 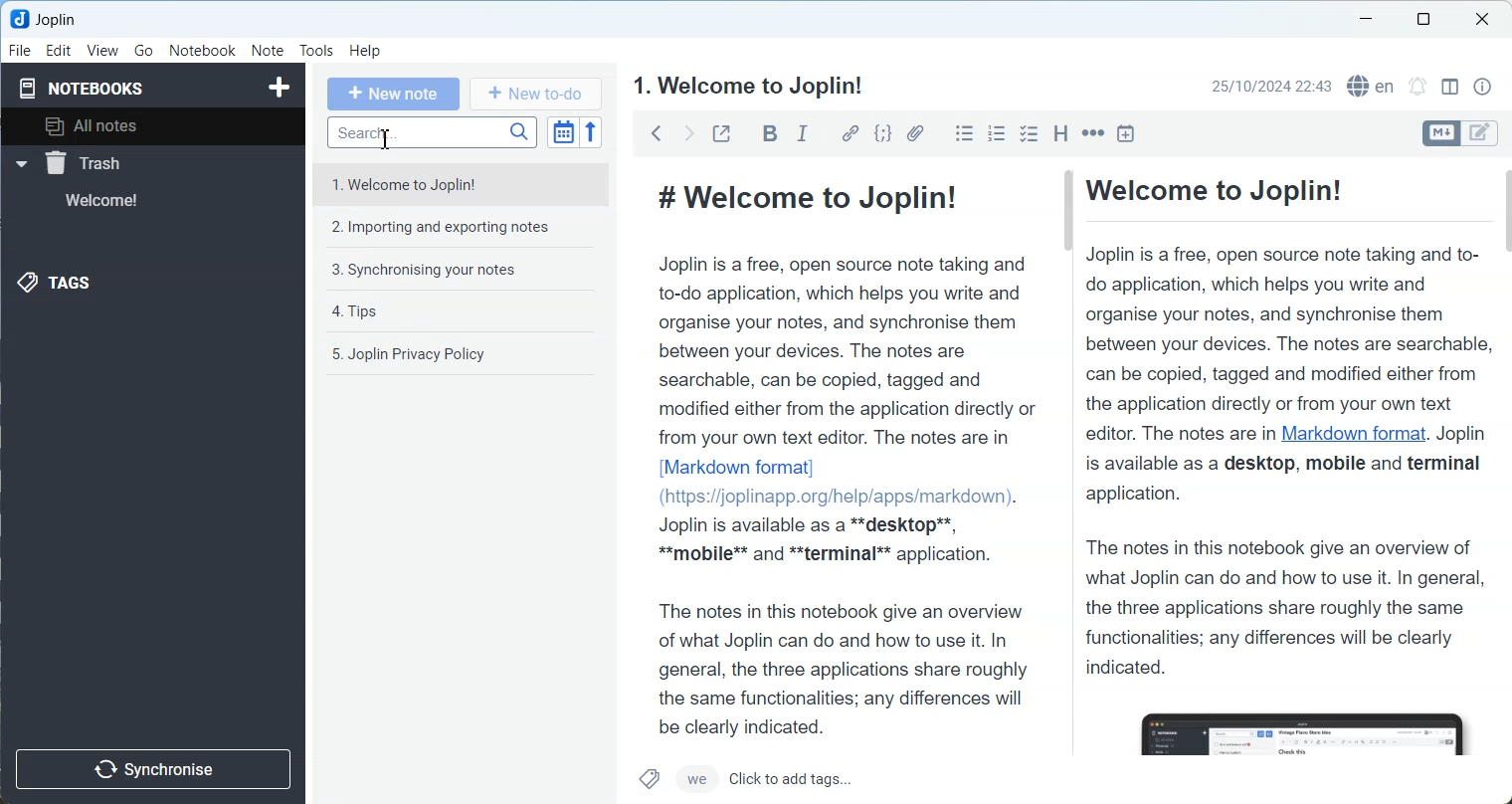 I want to click on verticle scrollbar, so click(x=1503, y=371).